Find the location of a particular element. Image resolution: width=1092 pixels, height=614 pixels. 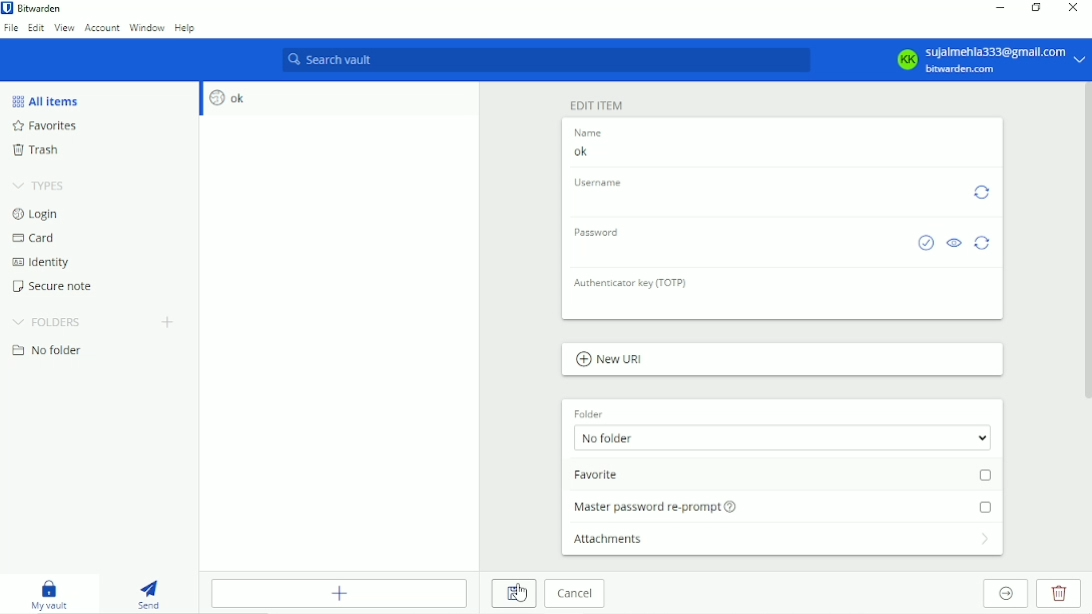

Attachments is located at coordinates (780, 540).